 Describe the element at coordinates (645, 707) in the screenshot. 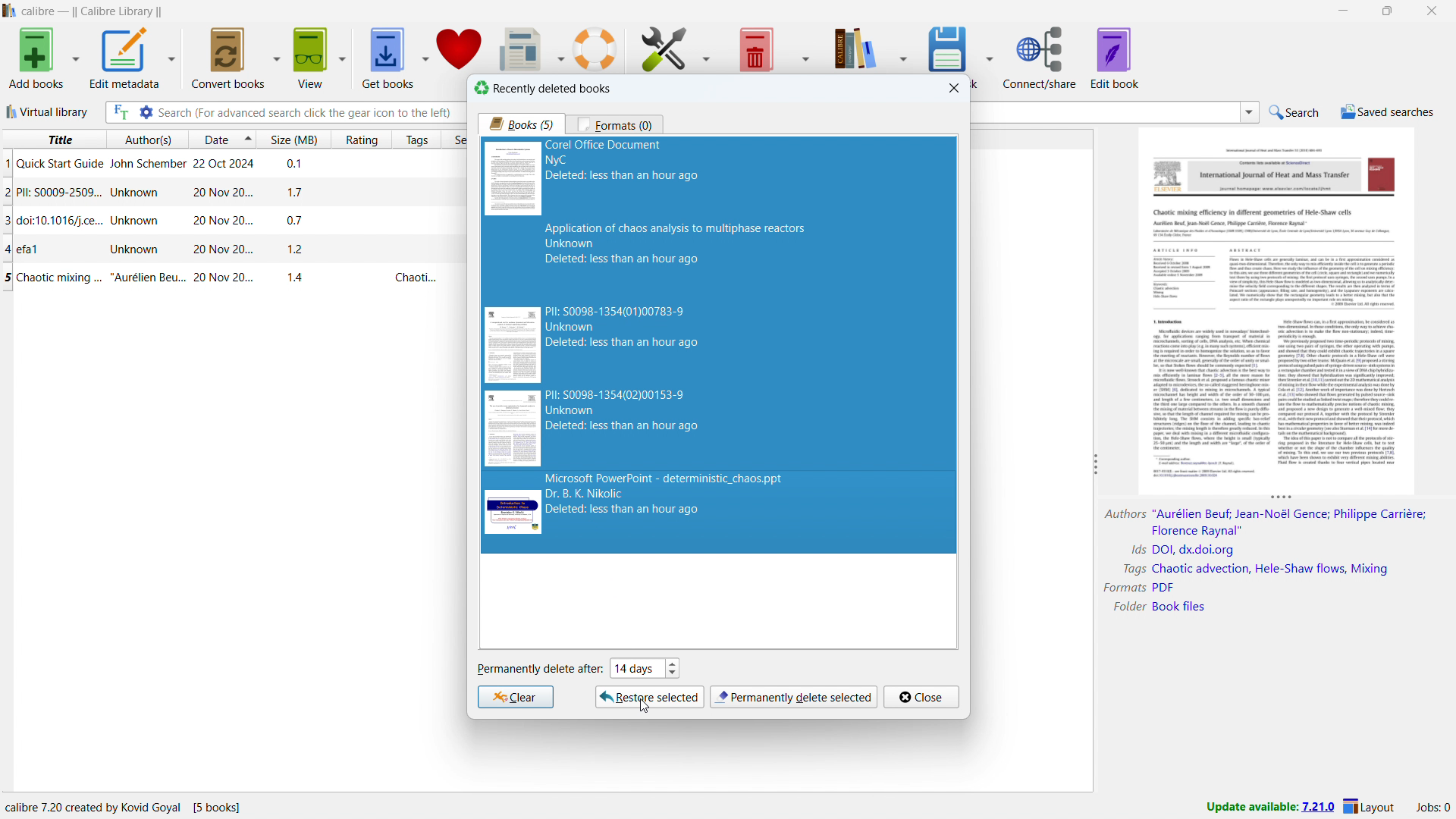

I see `cursor` at that location.